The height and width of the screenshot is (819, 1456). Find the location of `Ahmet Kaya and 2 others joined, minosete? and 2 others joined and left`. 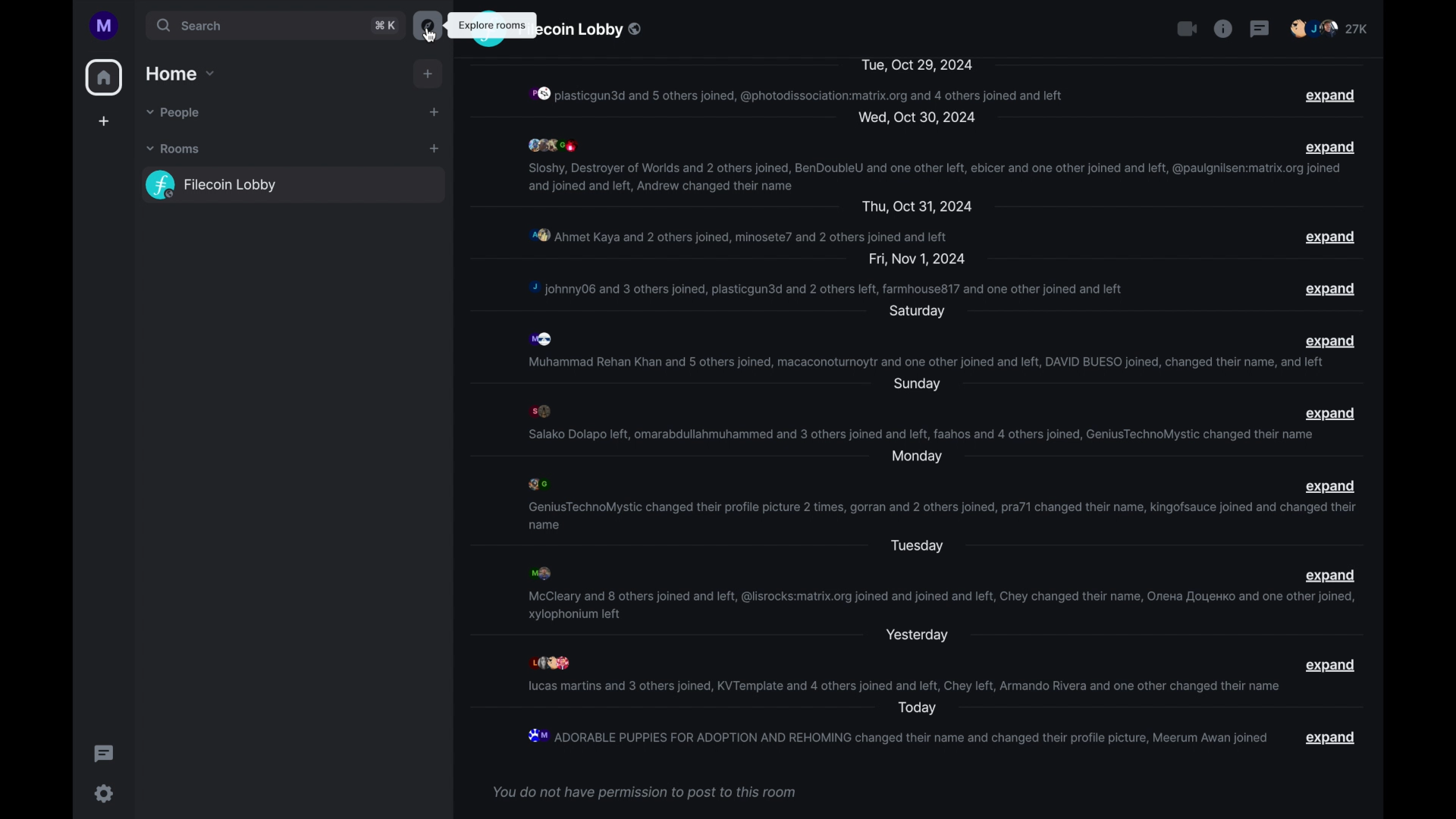

Ahmet Kaya and 2 others joined, minosete? and 2 others joined and left is located at coordinates (739, 234).